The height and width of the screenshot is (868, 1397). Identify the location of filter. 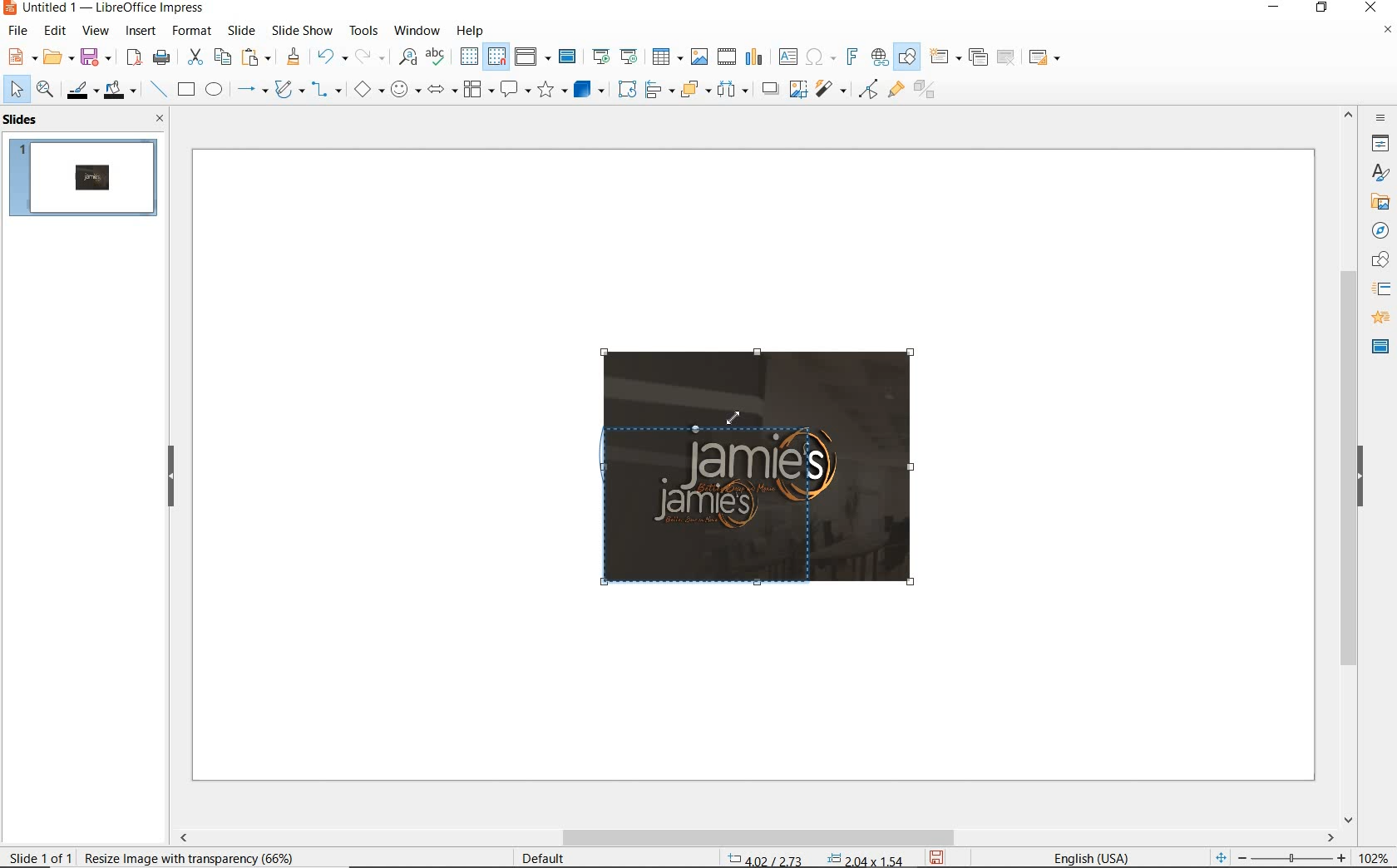
(832, 86).